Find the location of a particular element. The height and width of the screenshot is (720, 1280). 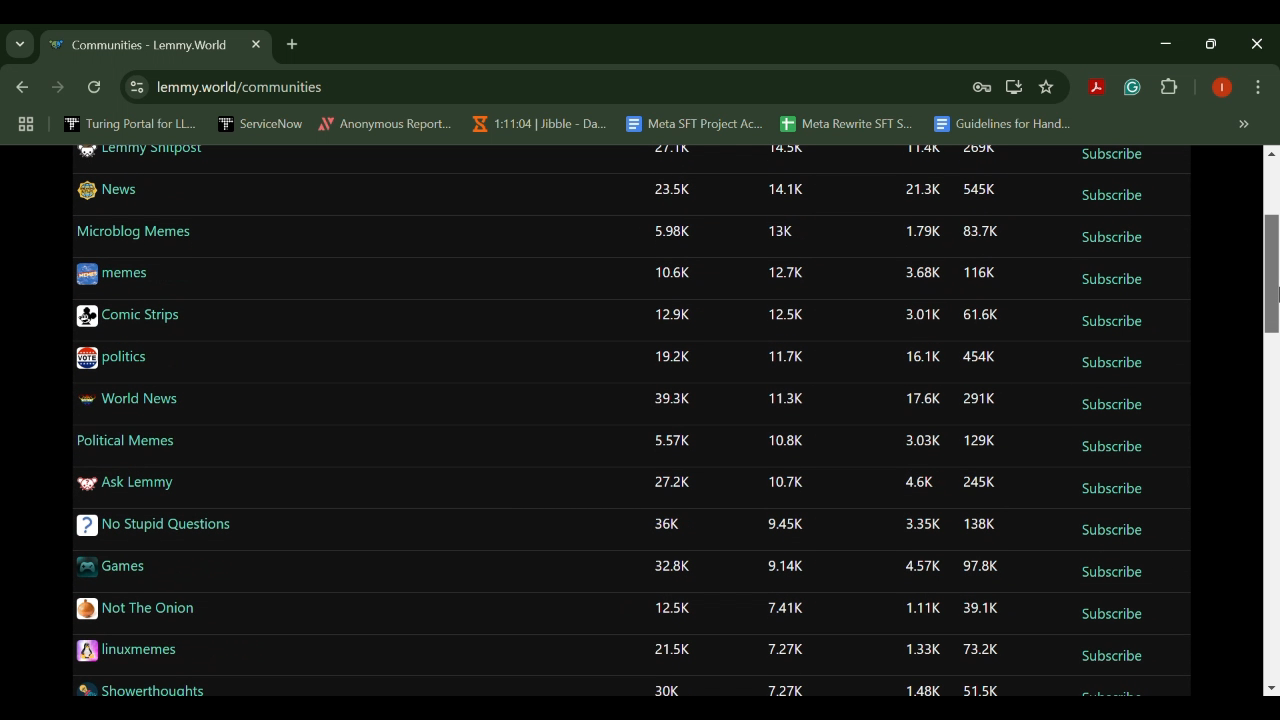

Hidden bookmarks is located at coordinates (1246, 125).